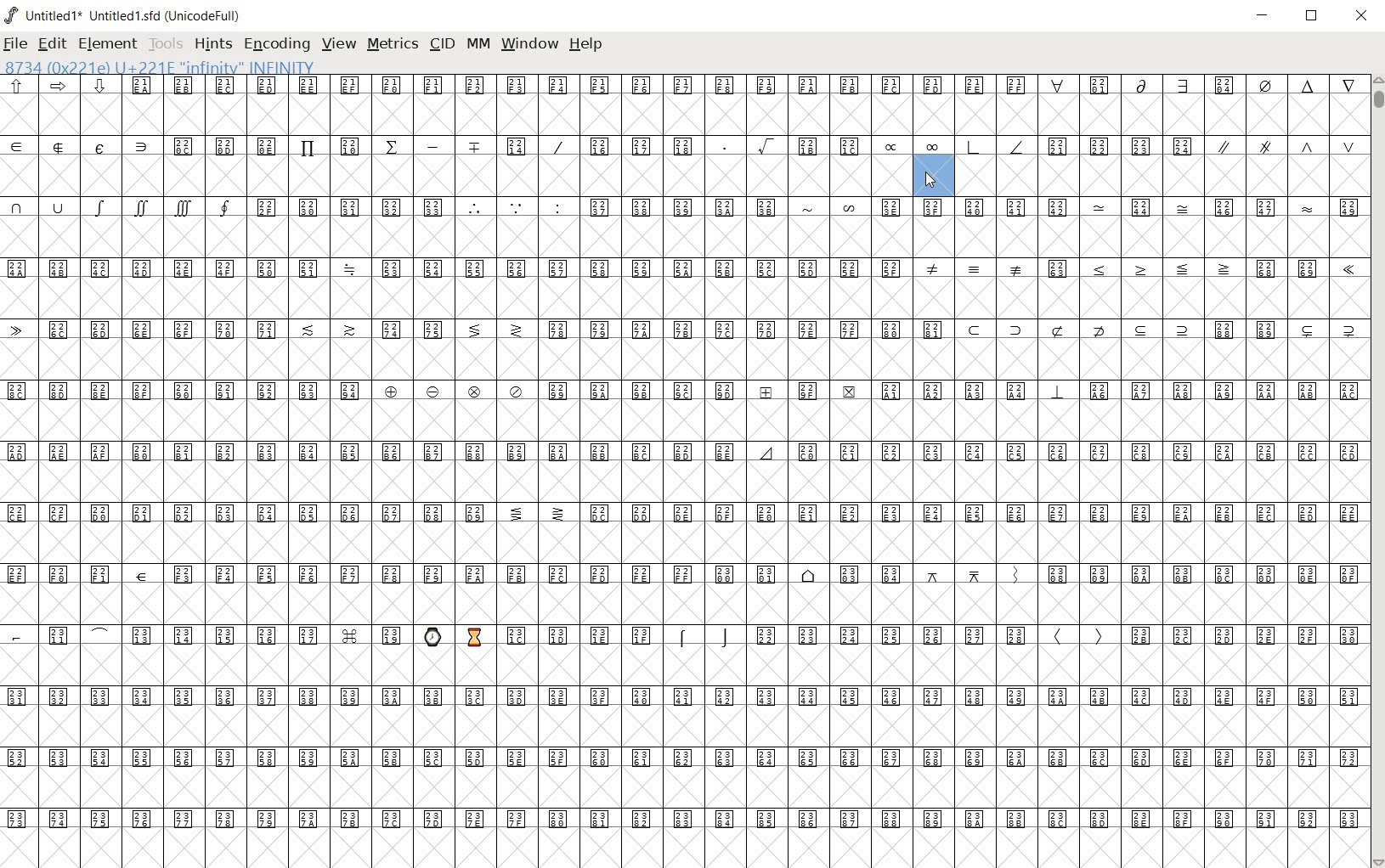 The height and width of the screenshot is (868, 1385). I want to click on Unicode code points, so click(896, 635).